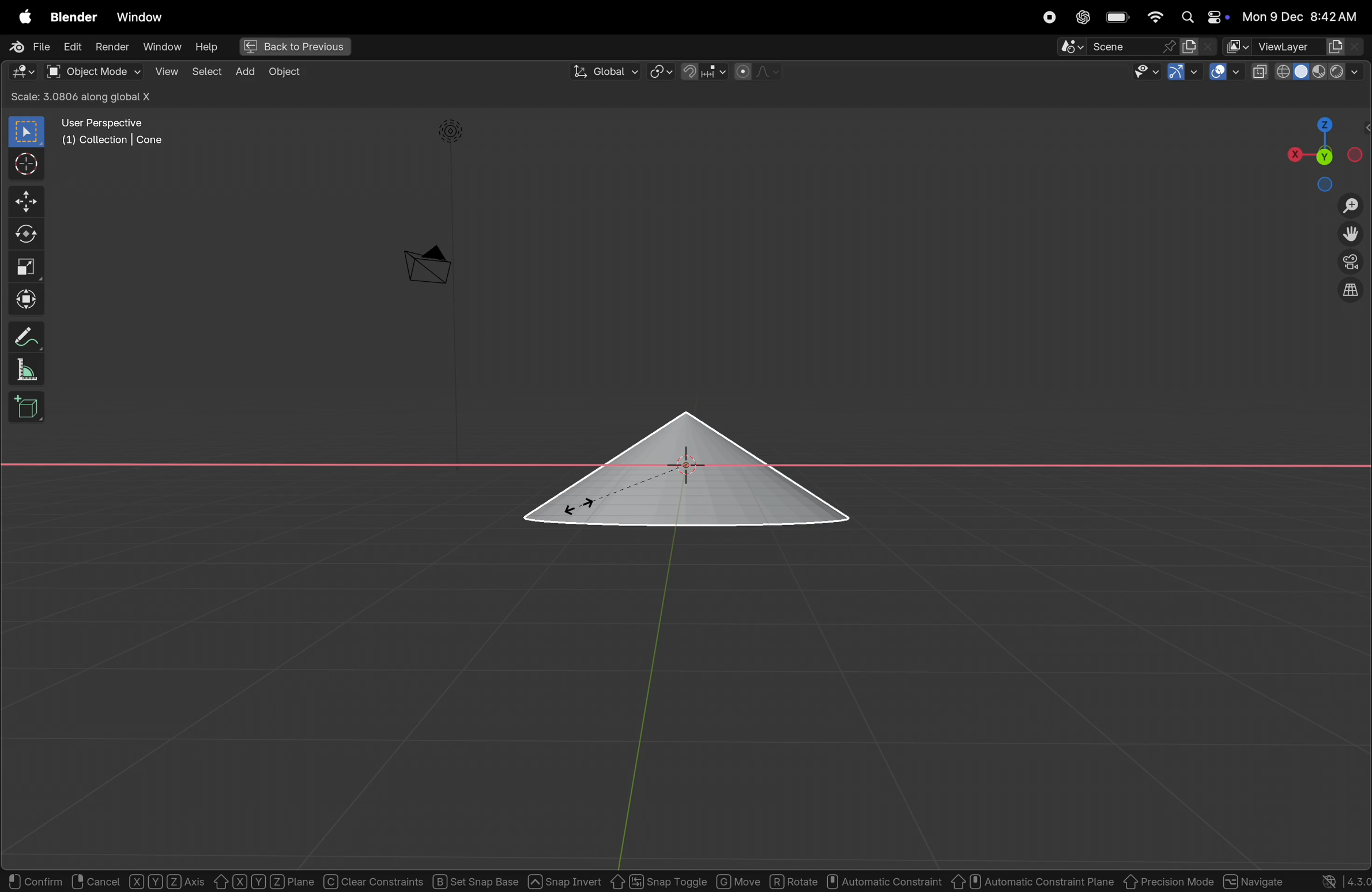  I want to click on orthographic projection, so click(1352, 290).